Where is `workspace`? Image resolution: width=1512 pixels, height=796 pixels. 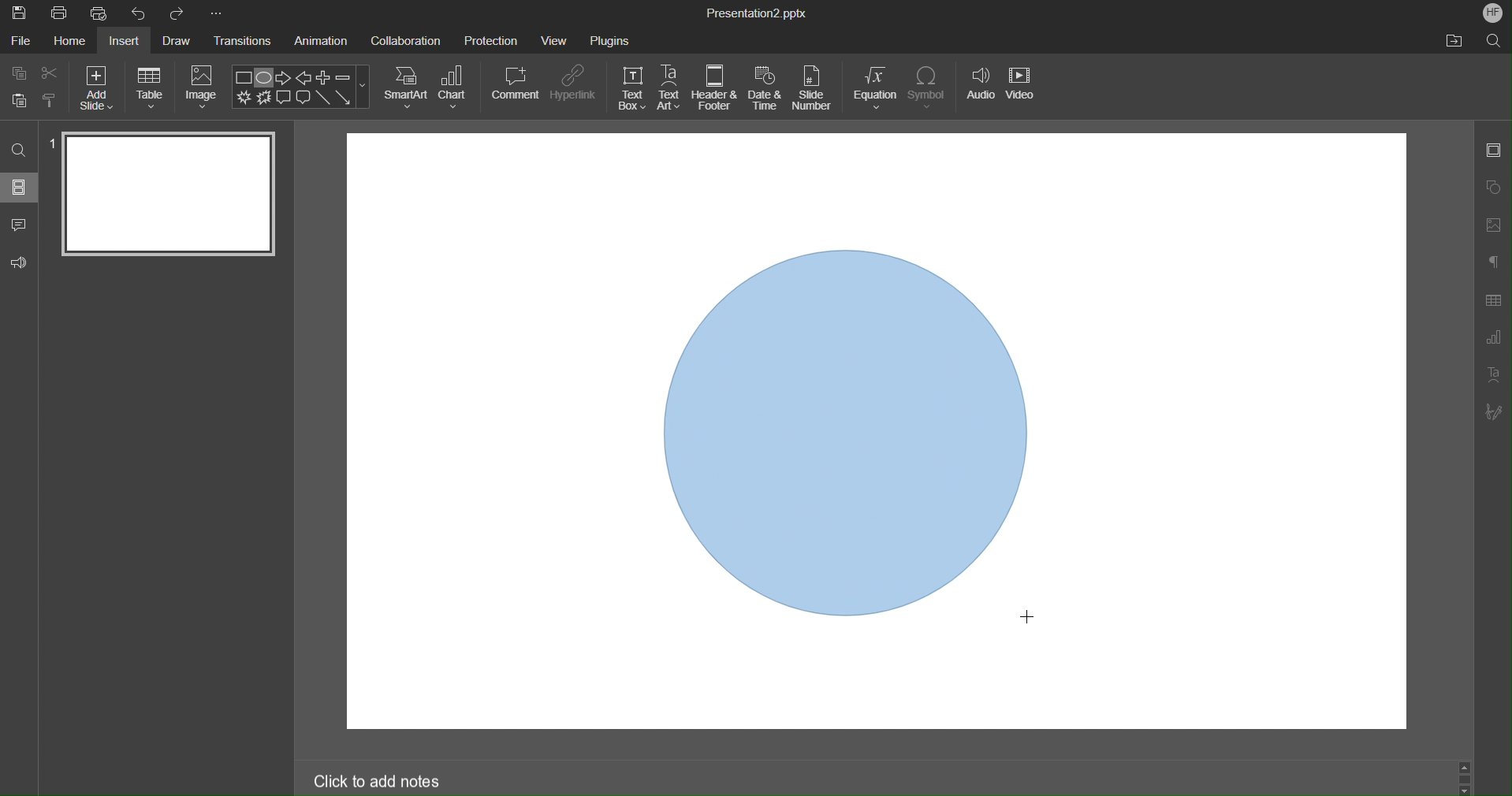
workspace is located at coordinates (855, 184).